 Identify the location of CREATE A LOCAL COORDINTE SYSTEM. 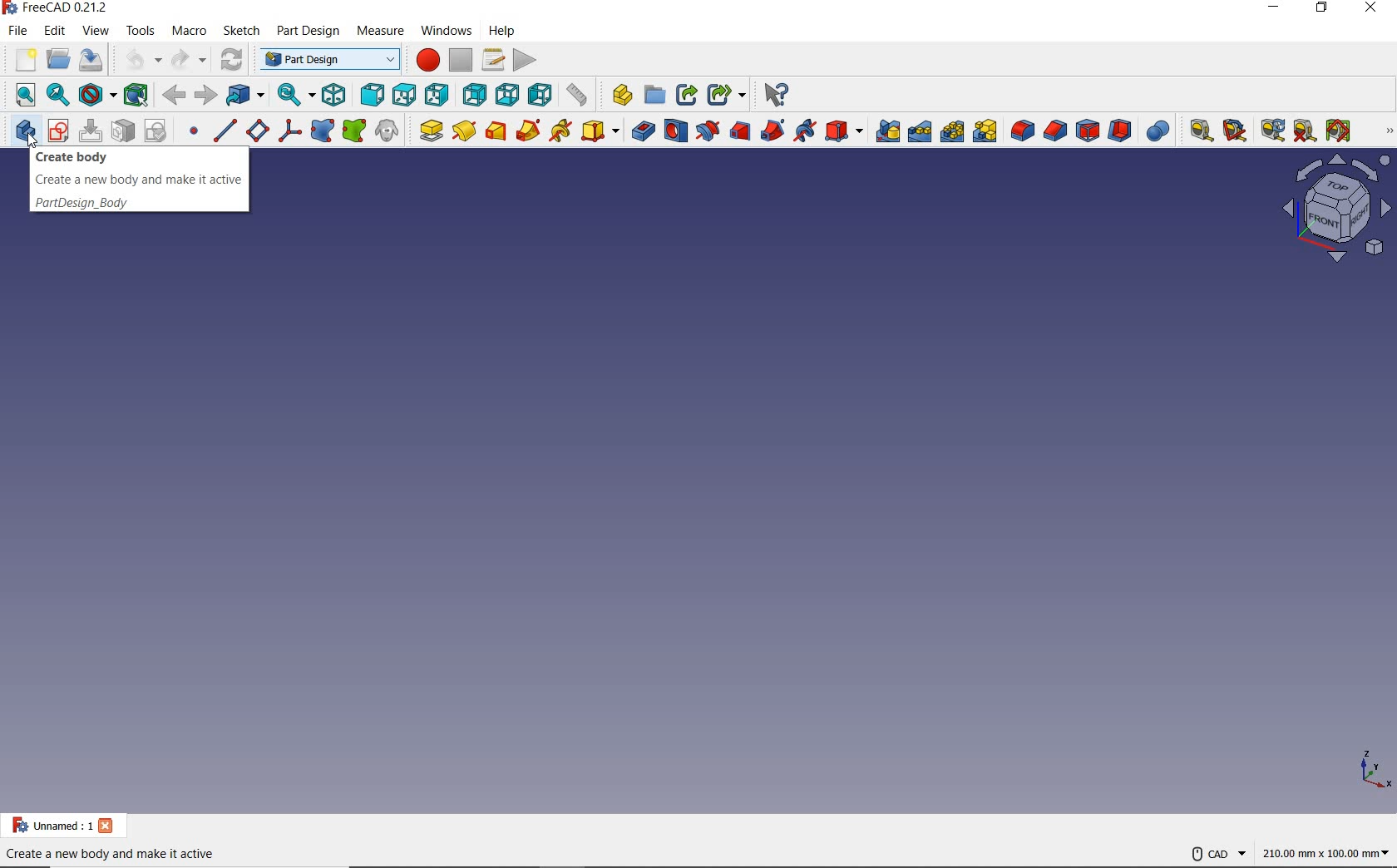
(289, 130).